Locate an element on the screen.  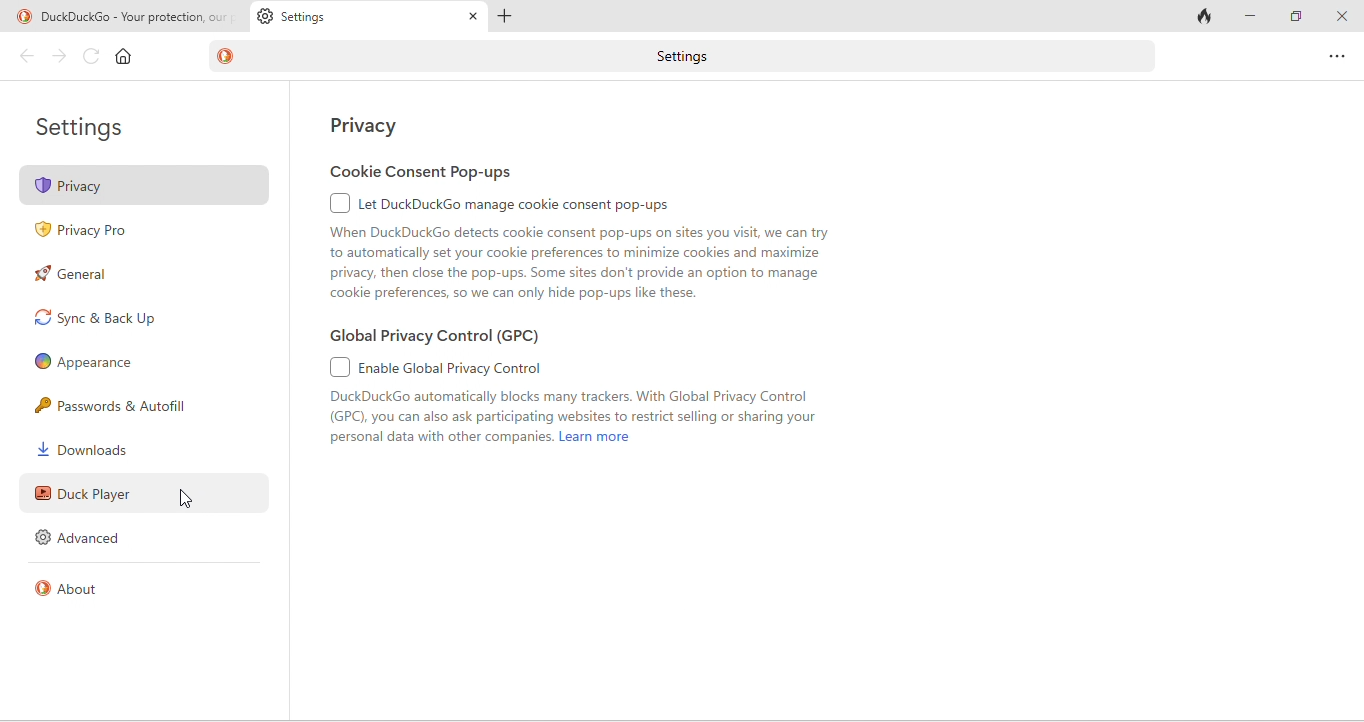
options is located at coordinates (1333, 55).